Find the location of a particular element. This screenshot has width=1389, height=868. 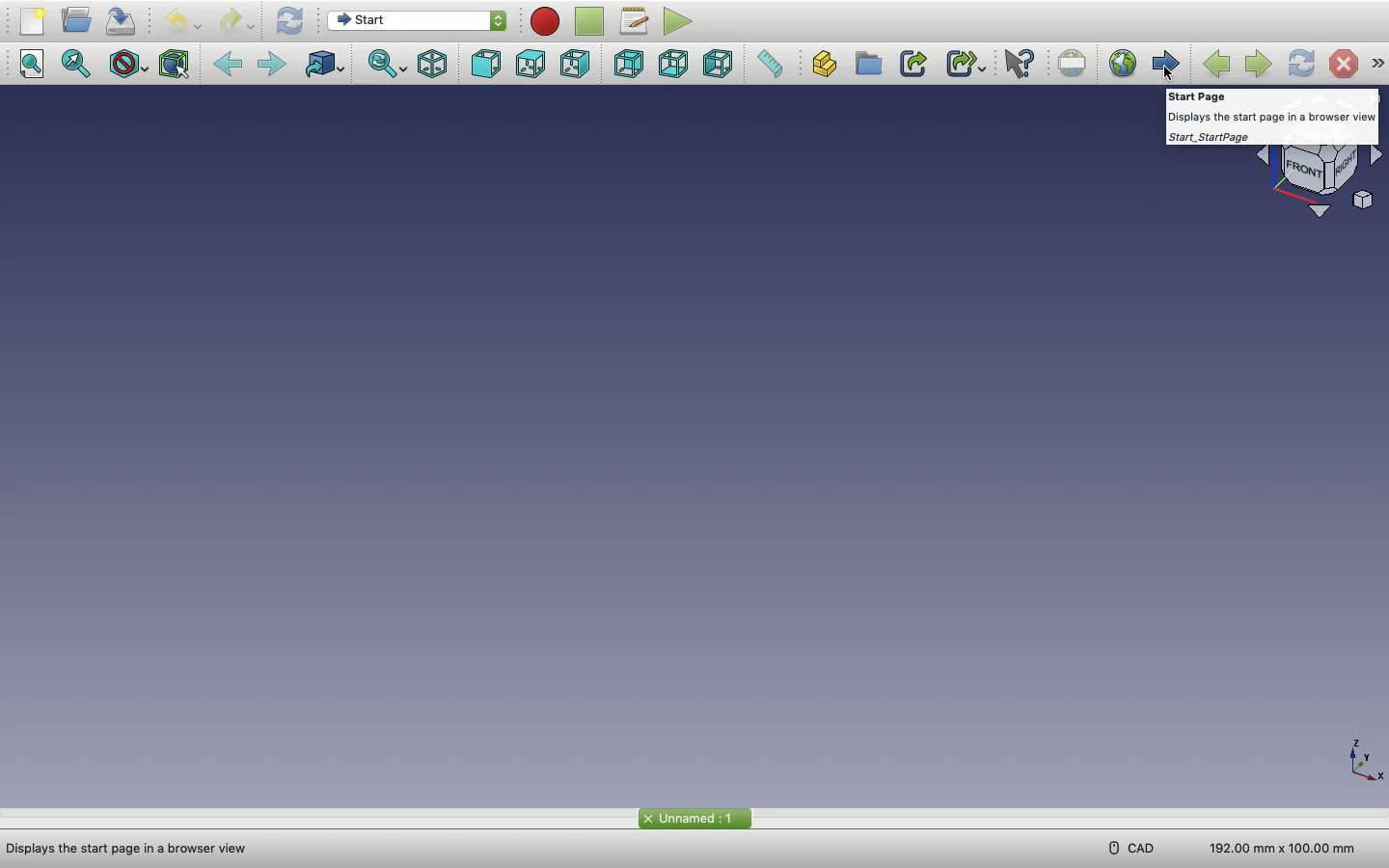

Create group is located at coordinates (872, 64).